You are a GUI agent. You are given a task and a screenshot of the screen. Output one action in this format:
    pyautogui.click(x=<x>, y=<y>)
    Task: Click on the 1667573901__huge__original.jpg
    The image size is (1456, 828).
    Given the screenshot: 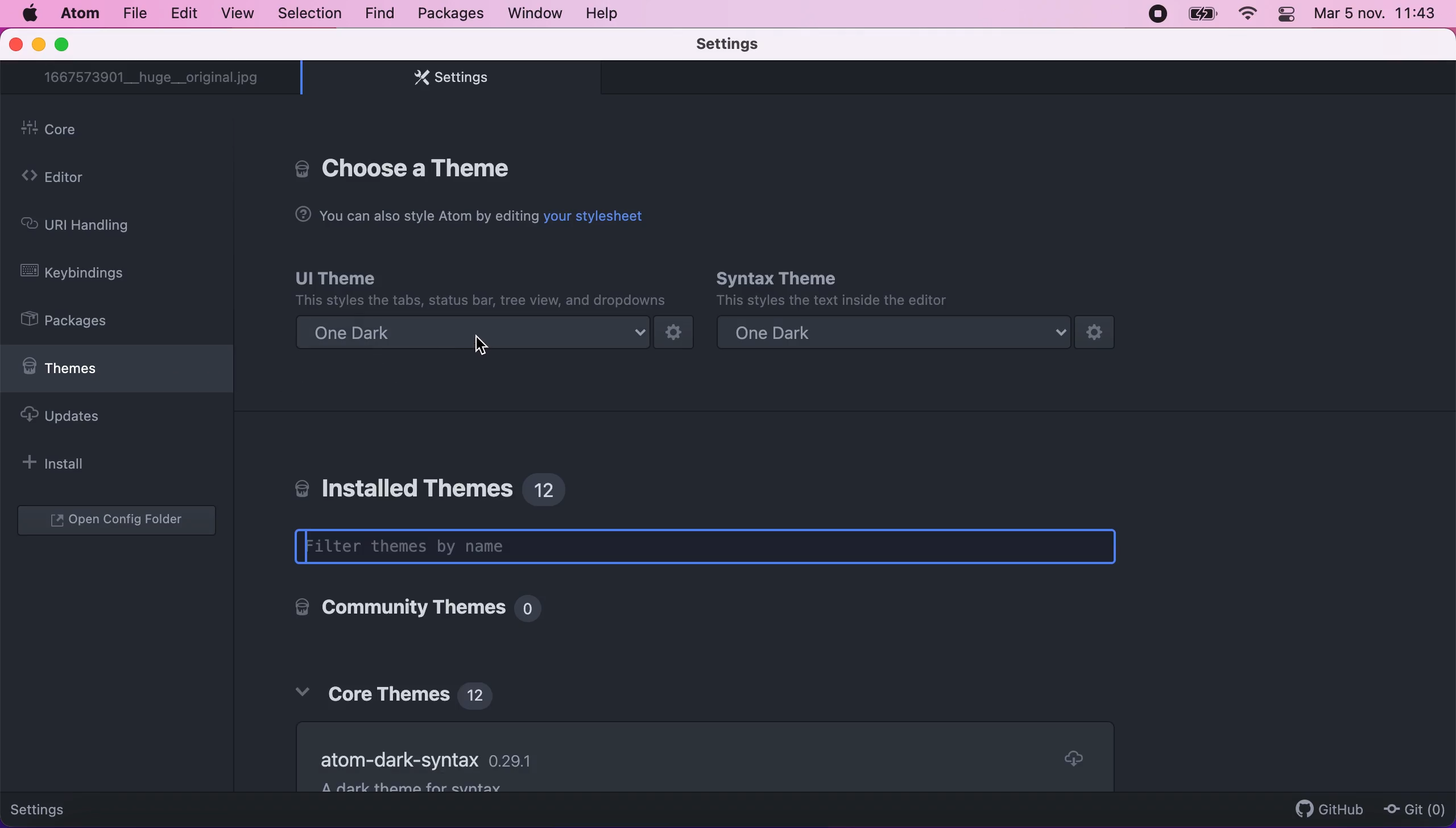 What is the action you would take?
    pyautogui.click(x=155, y=78)
    